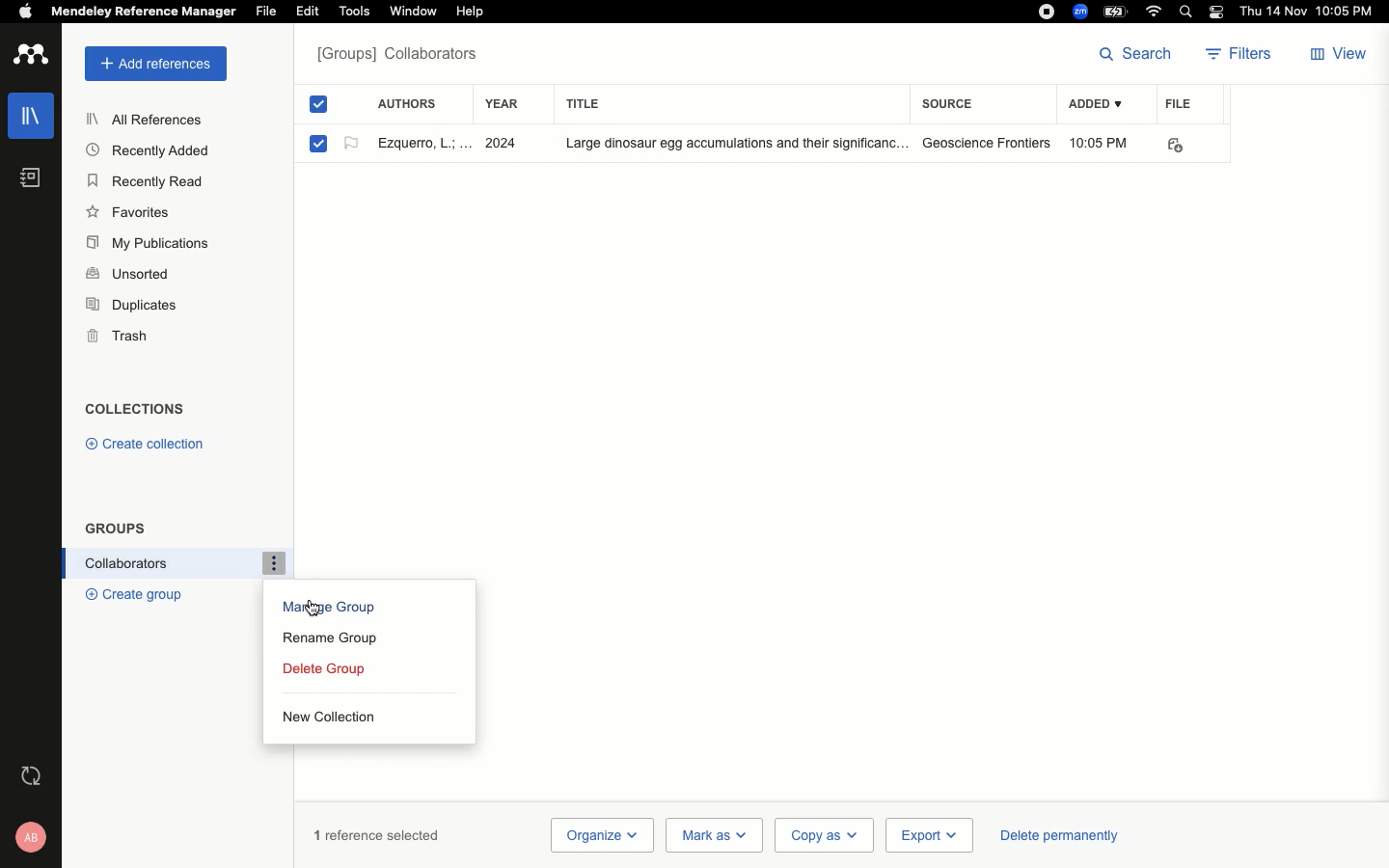 The width and height of the screenshot is (1389, 868). Describe the element at coordinates (953, 103) in the screenshot. I see `Source` at that location.